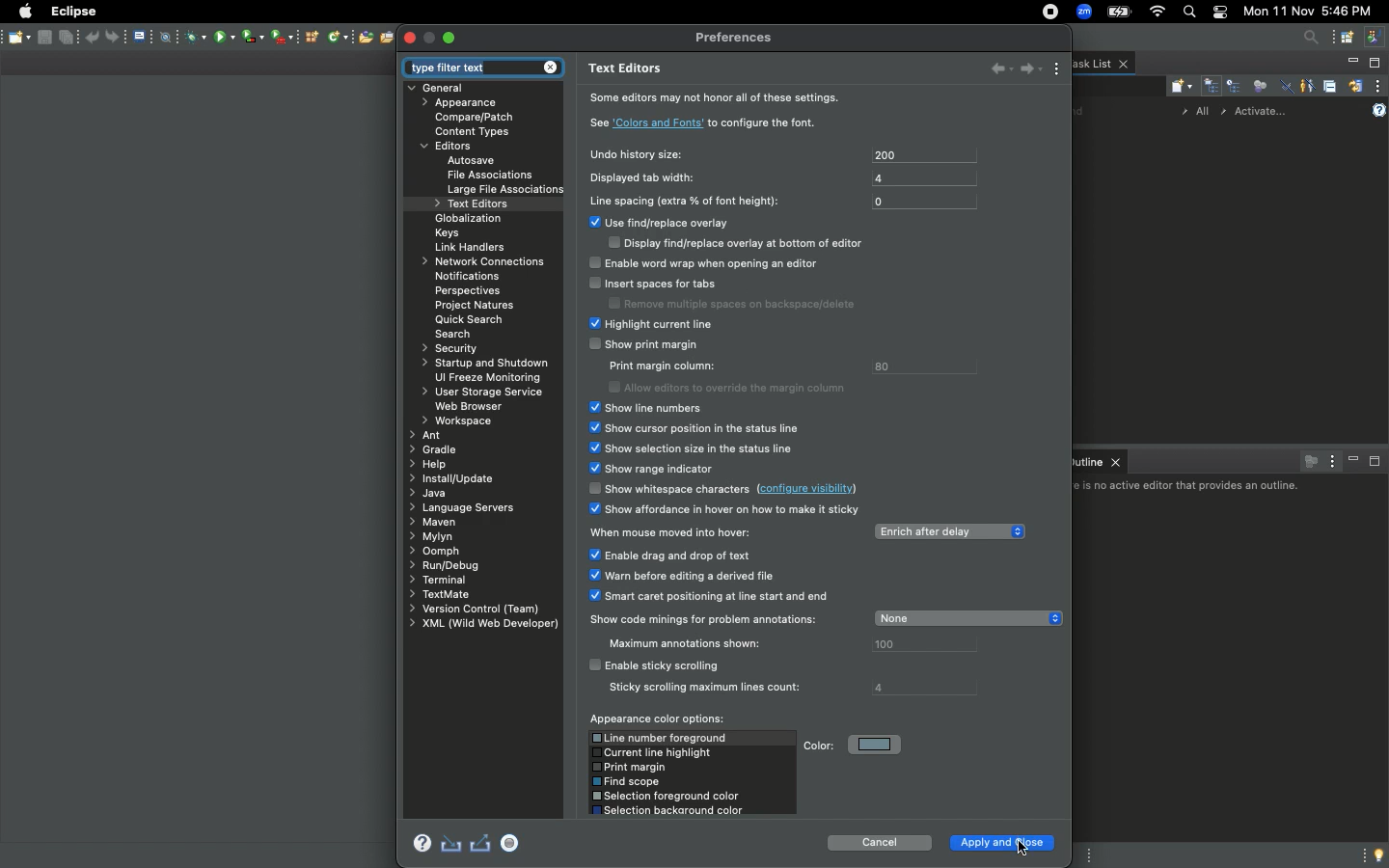 This screenshot has width=1389, height=868. I want to click on Color options, so click(692, 773).